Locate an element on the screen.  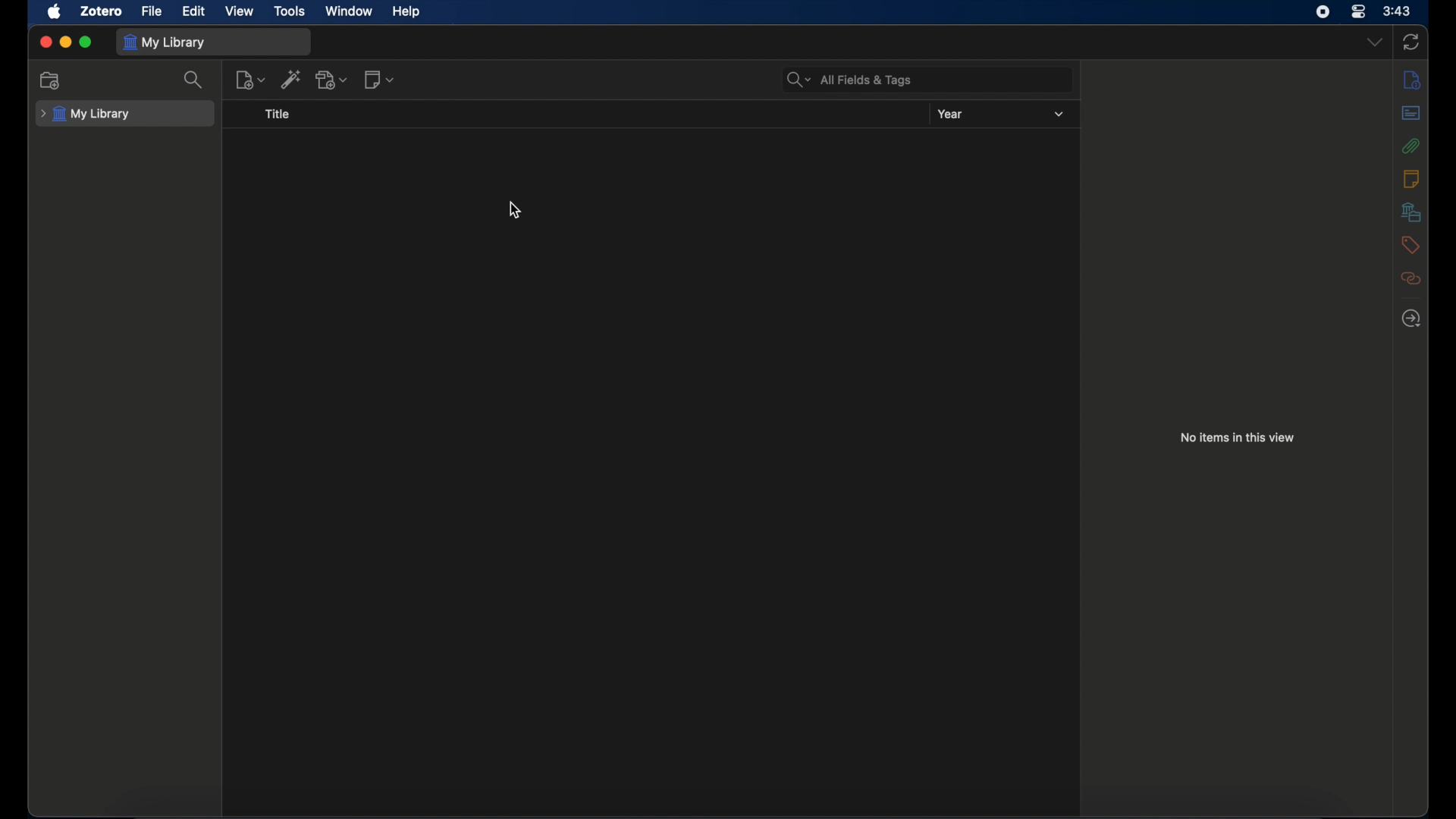
attachments is located at coordinates (1411, 146).